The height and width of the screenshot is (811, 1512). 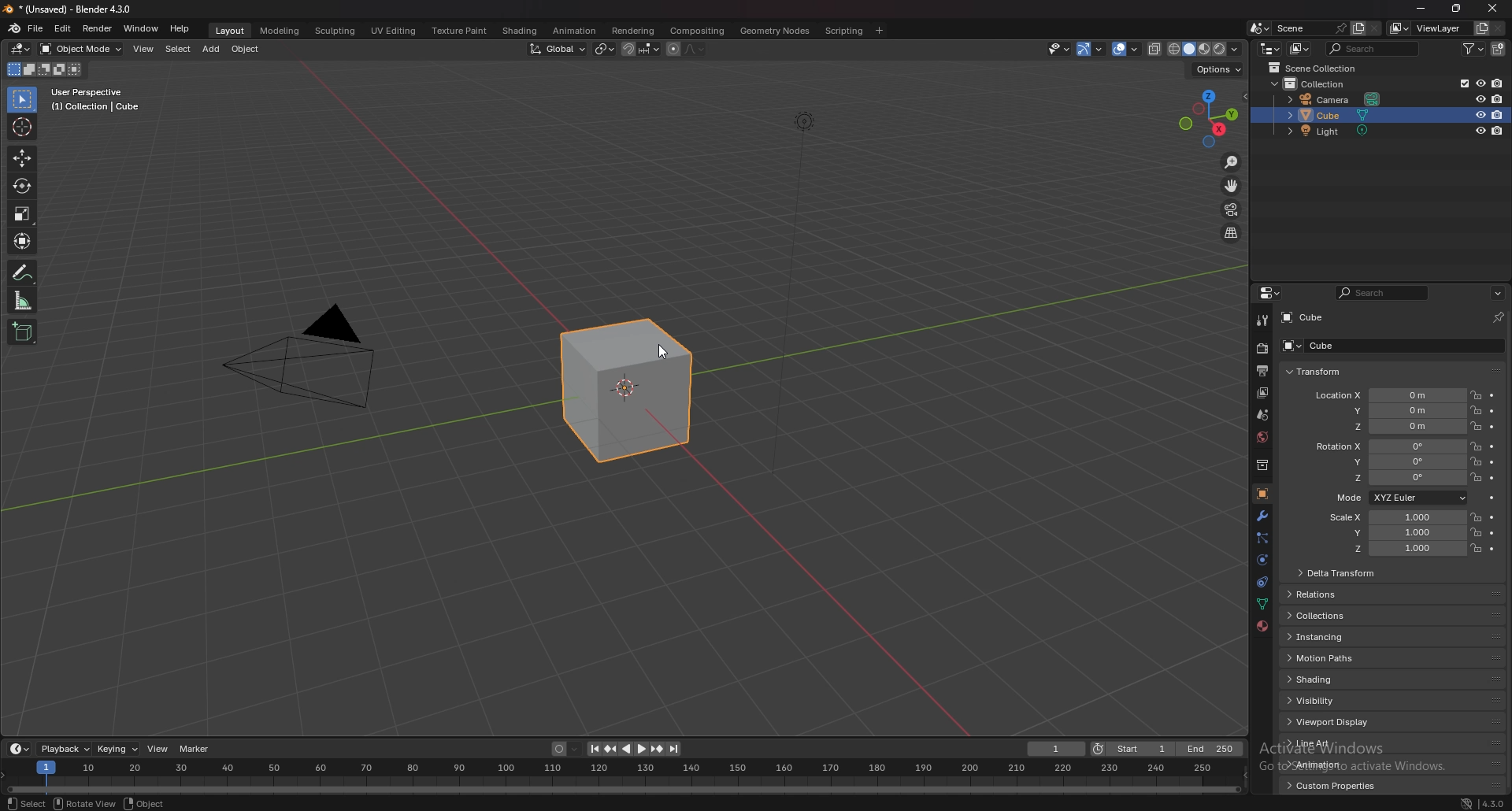 What do you see at coordinates (1475, 462) in the screenshot?
I see `lock` at bounding box center [1475, 462].